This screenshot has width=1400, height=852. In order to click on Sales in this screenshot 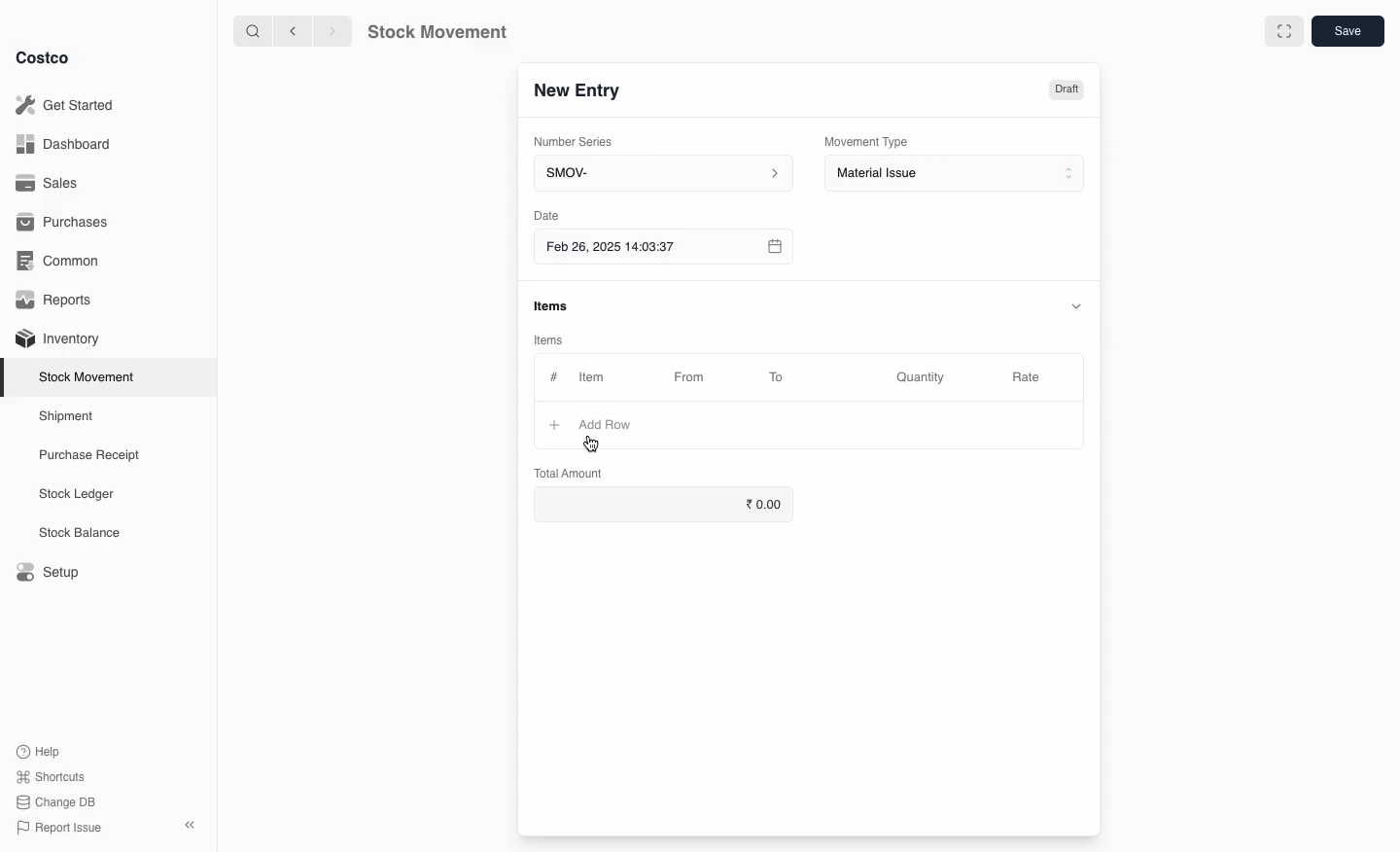, I will do `click(50, 182)`.